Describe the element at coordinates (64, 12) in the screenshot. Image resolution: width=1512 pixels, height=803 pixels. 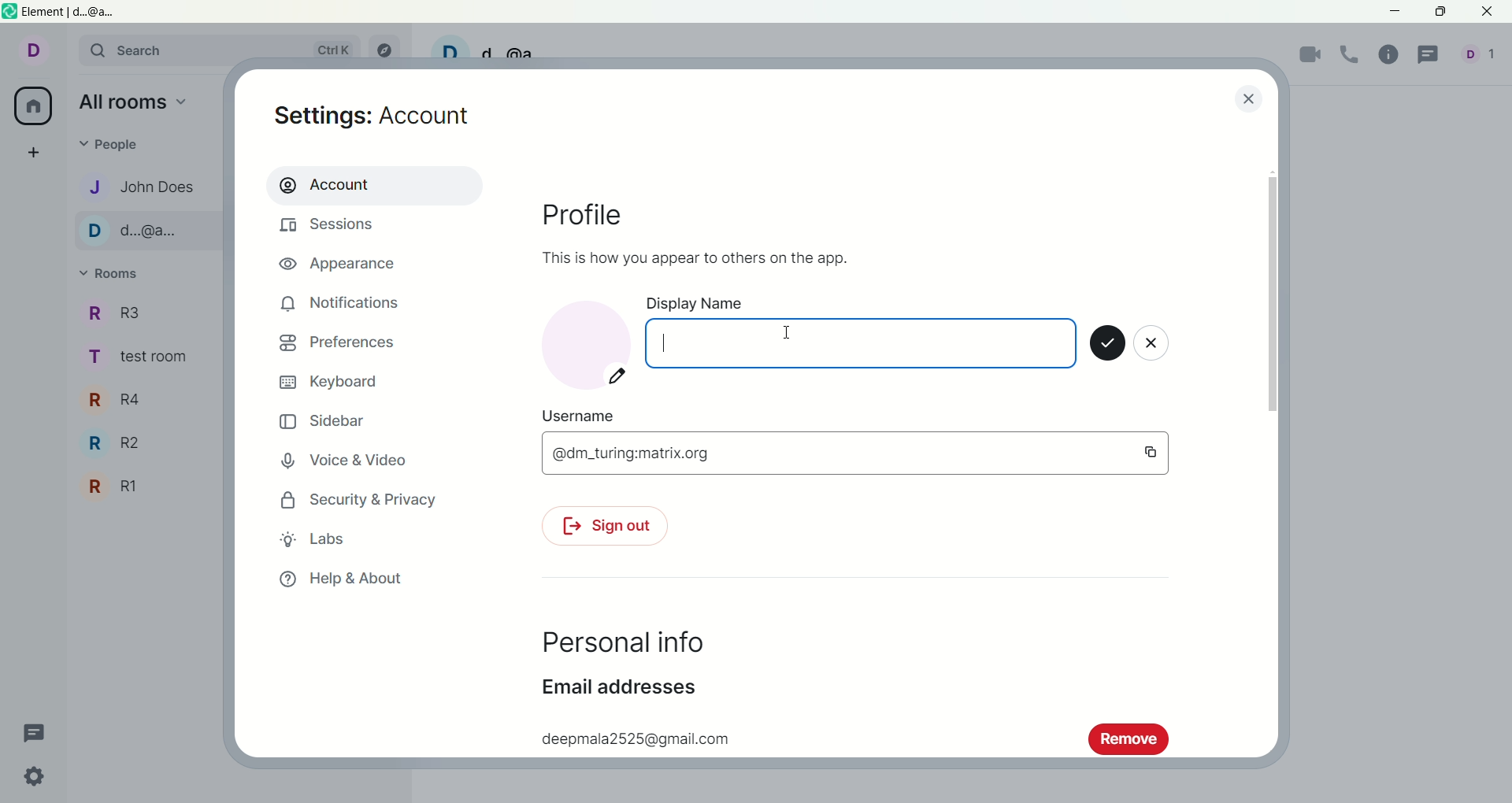
I see `element|d..@a..` at that location.